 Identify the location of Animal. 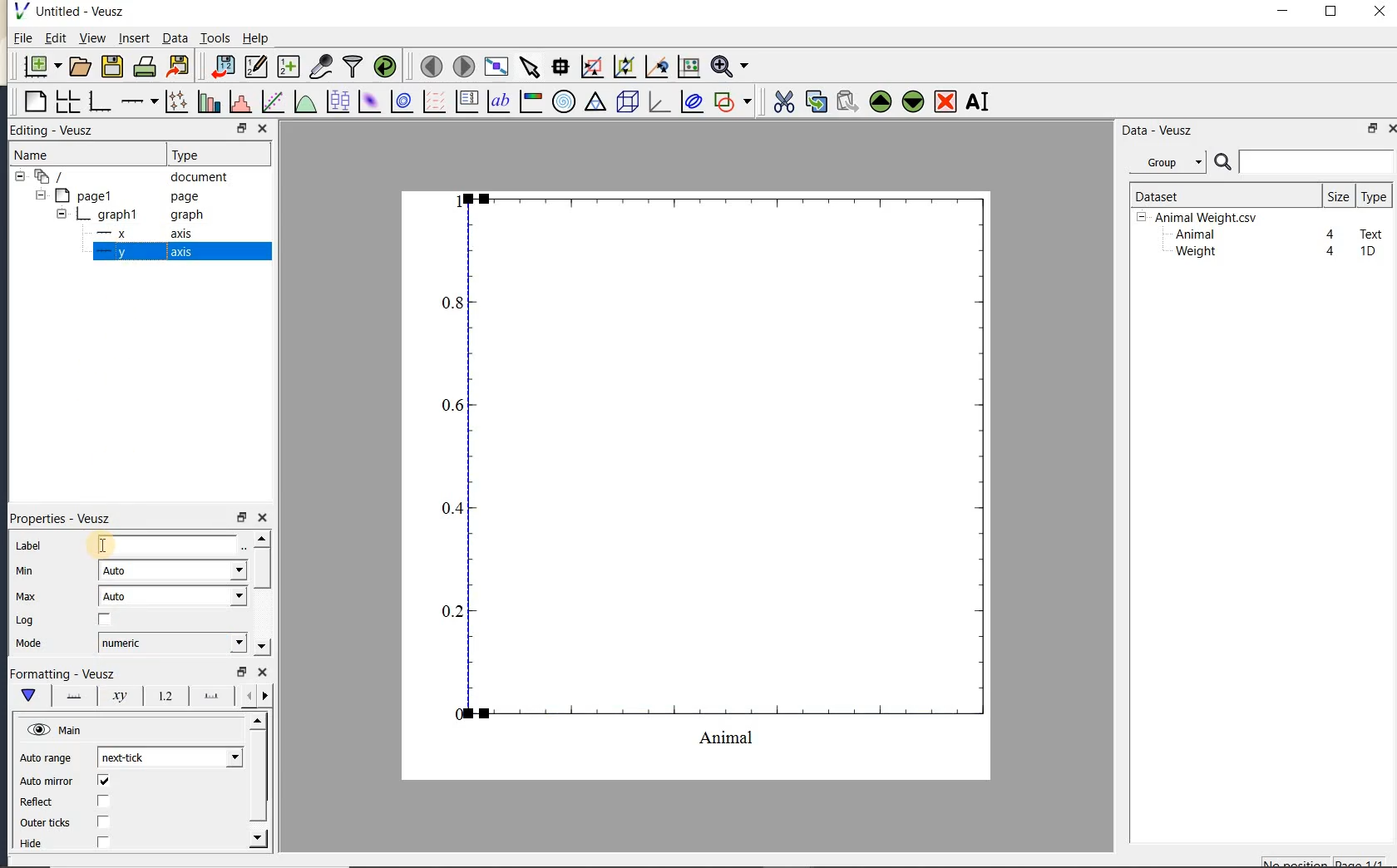
(170, 546).